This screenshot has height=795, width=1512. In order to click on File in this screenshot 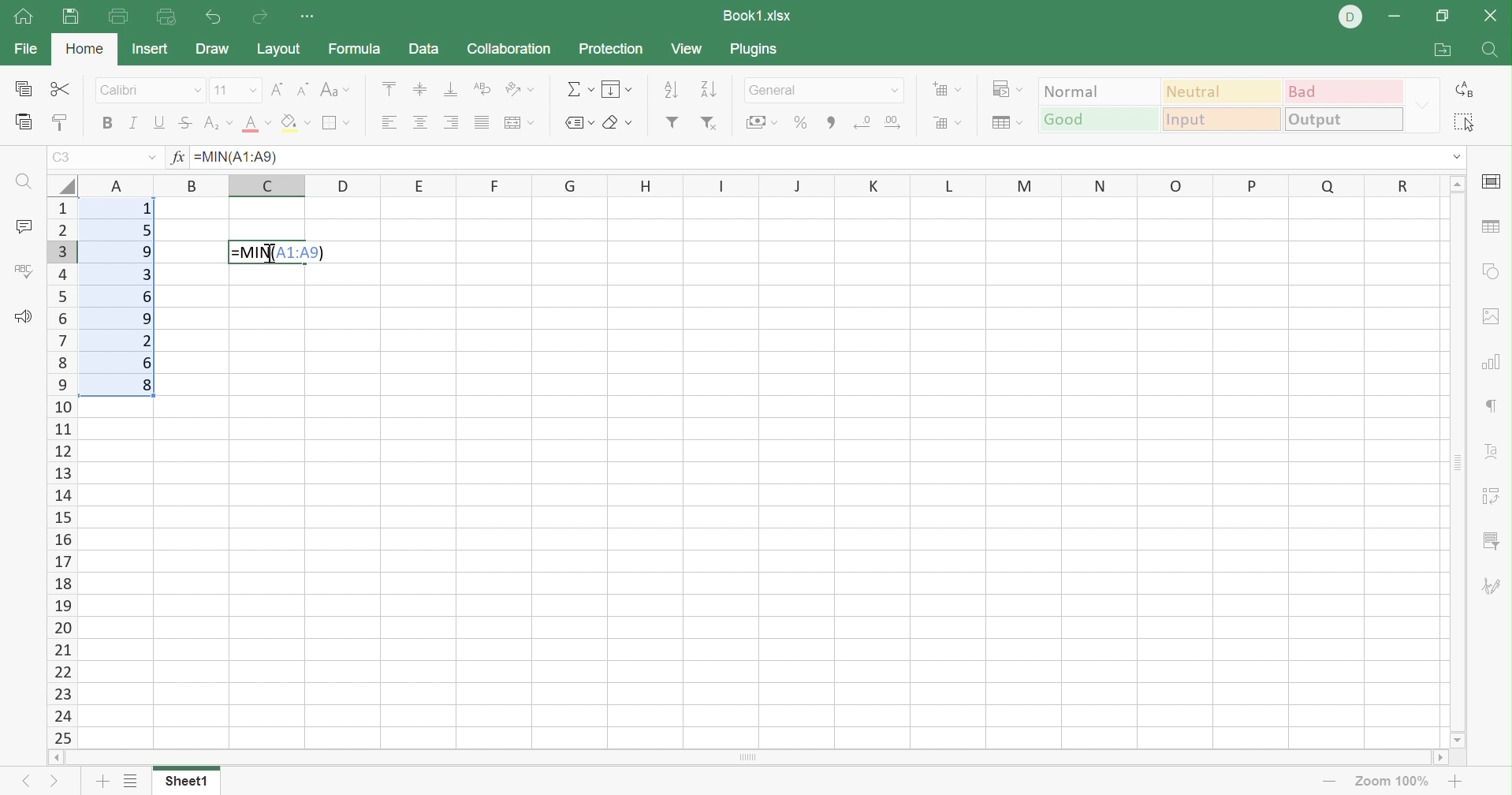, I will do `click(26, 48)`.